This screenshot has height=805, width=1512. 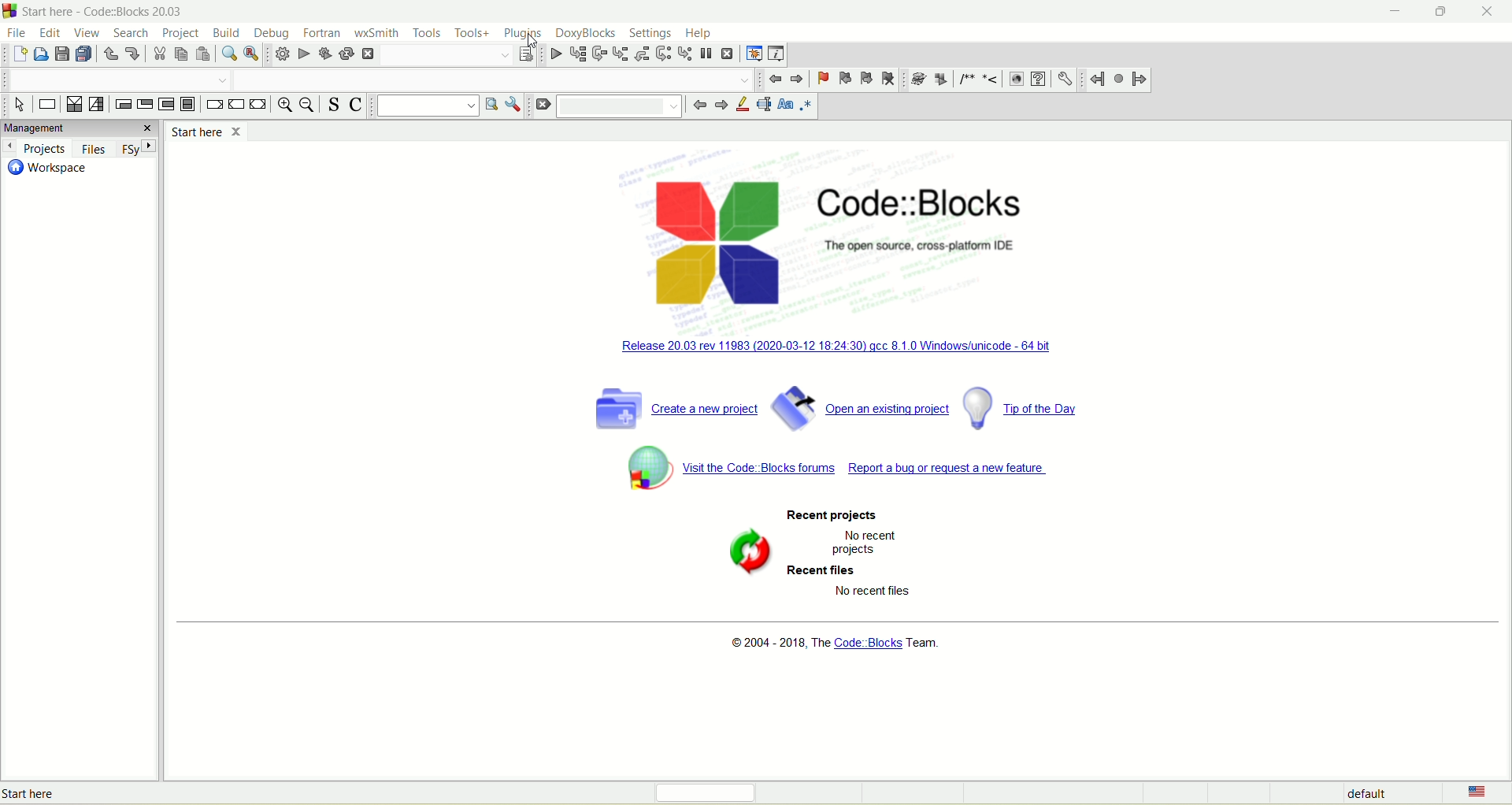 I want to click on recent files, so click(x=825, y=572).